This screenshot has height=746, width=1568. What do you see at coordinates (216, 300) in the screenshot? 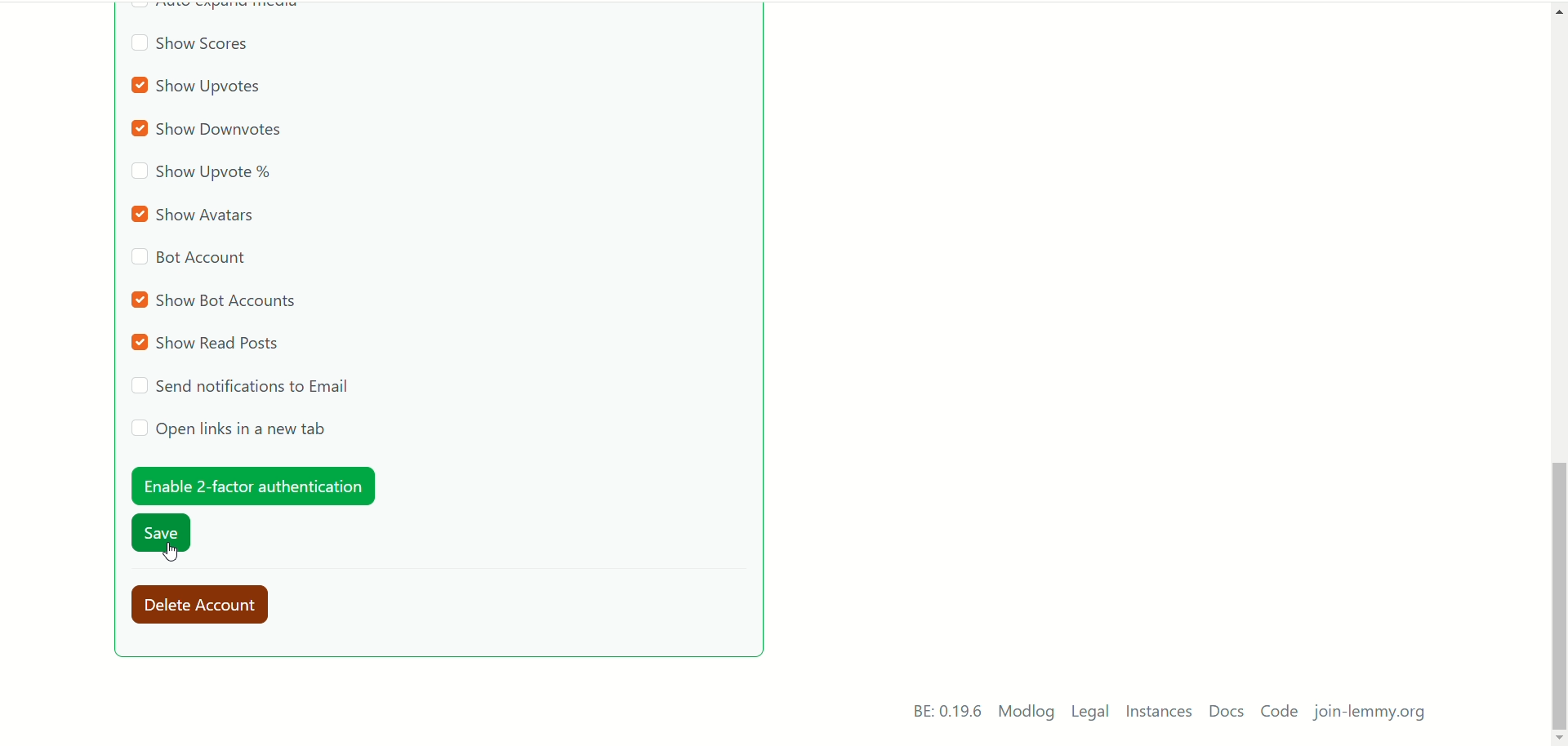
I see `selected show bot accounts` at bounding box center [216, 300].